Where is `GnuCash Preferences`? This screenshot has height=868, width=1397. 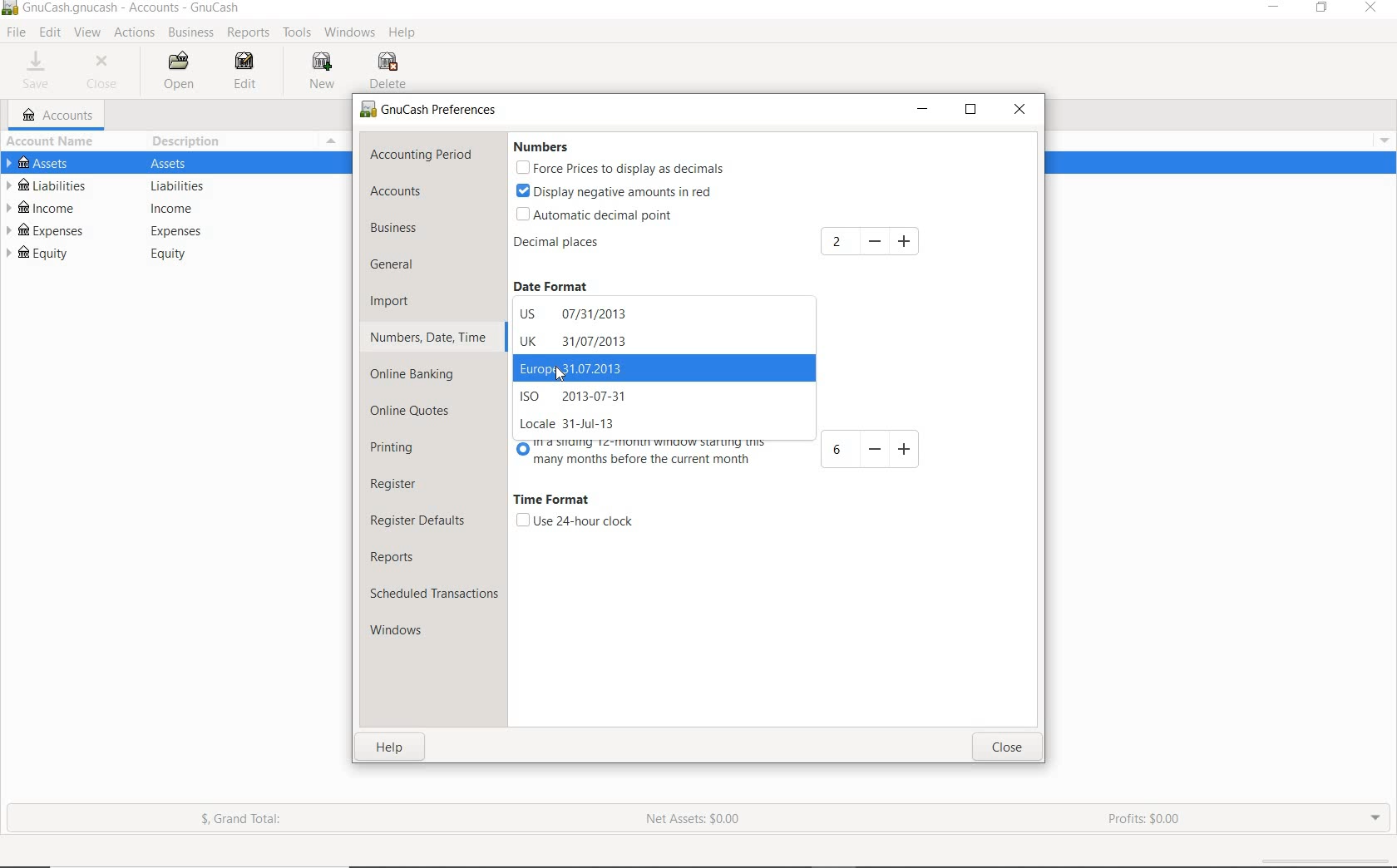 GnuCash Preferences is located at coordinates (429, 111).